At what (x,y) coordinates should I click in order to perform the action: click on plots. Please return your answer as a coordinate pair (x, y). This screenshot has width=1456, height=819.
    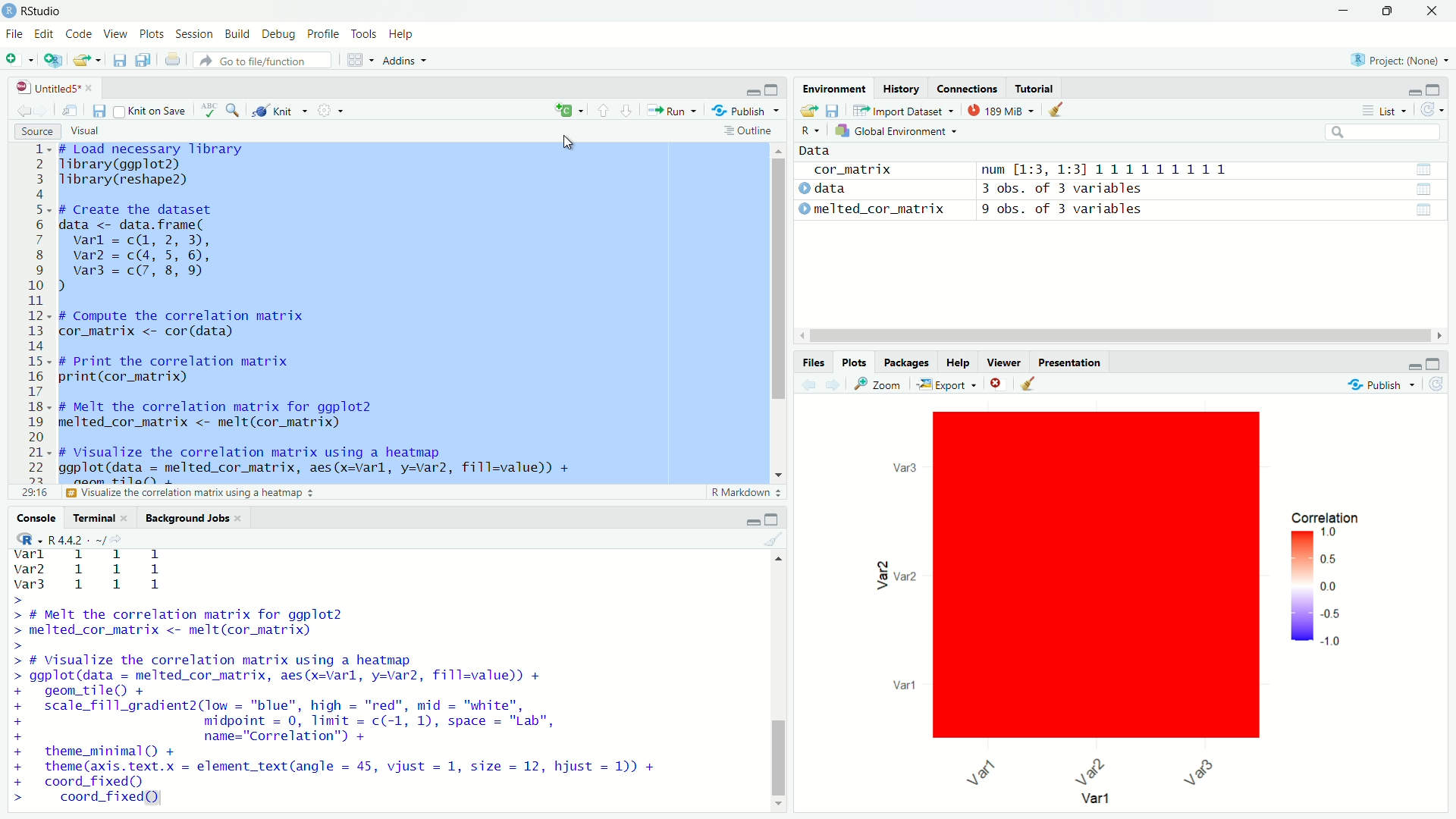
    Looking at the image, I should click on (854, 362).